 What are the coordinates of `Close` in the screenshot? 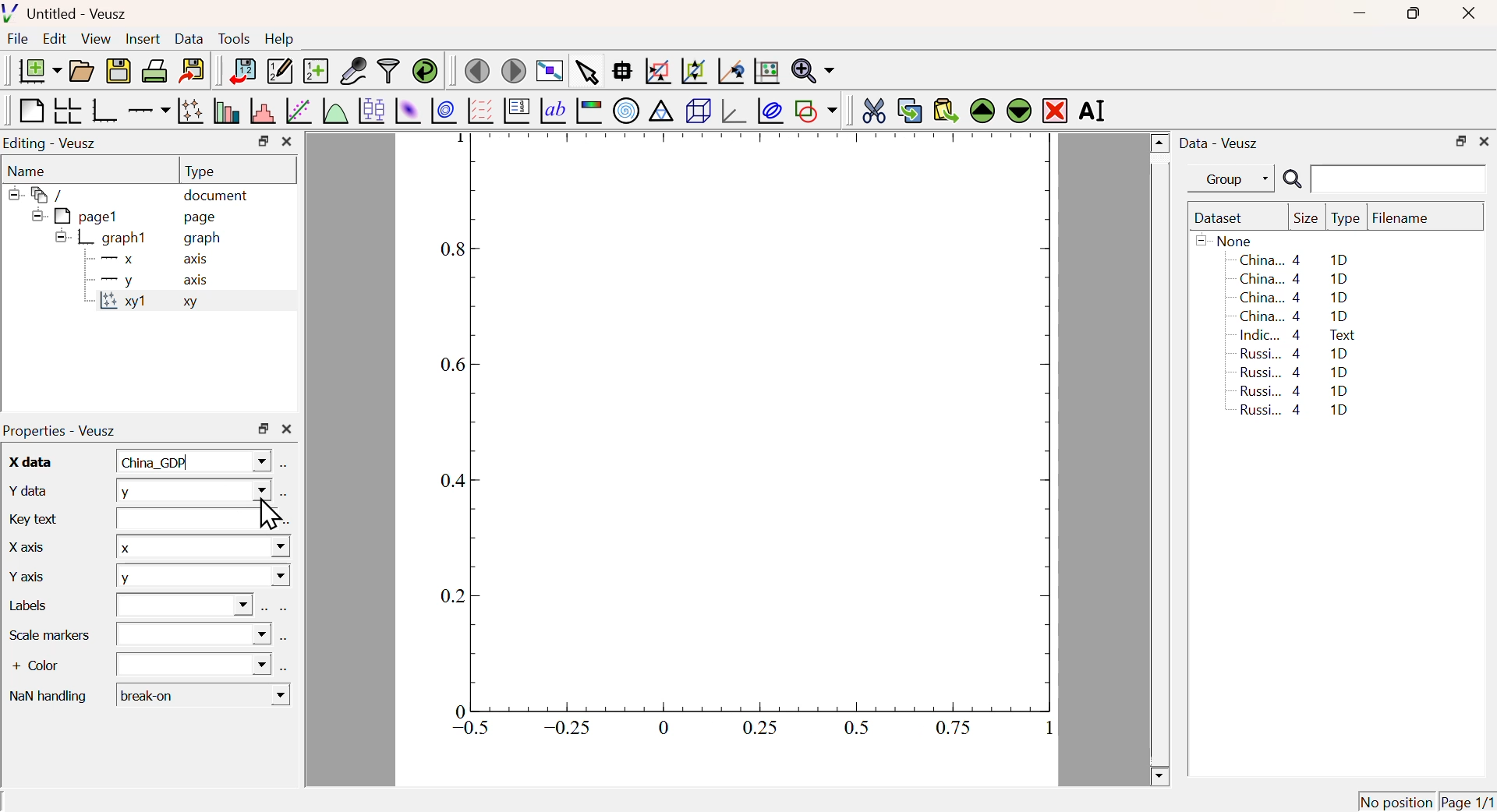 It's located at (1485, 139).